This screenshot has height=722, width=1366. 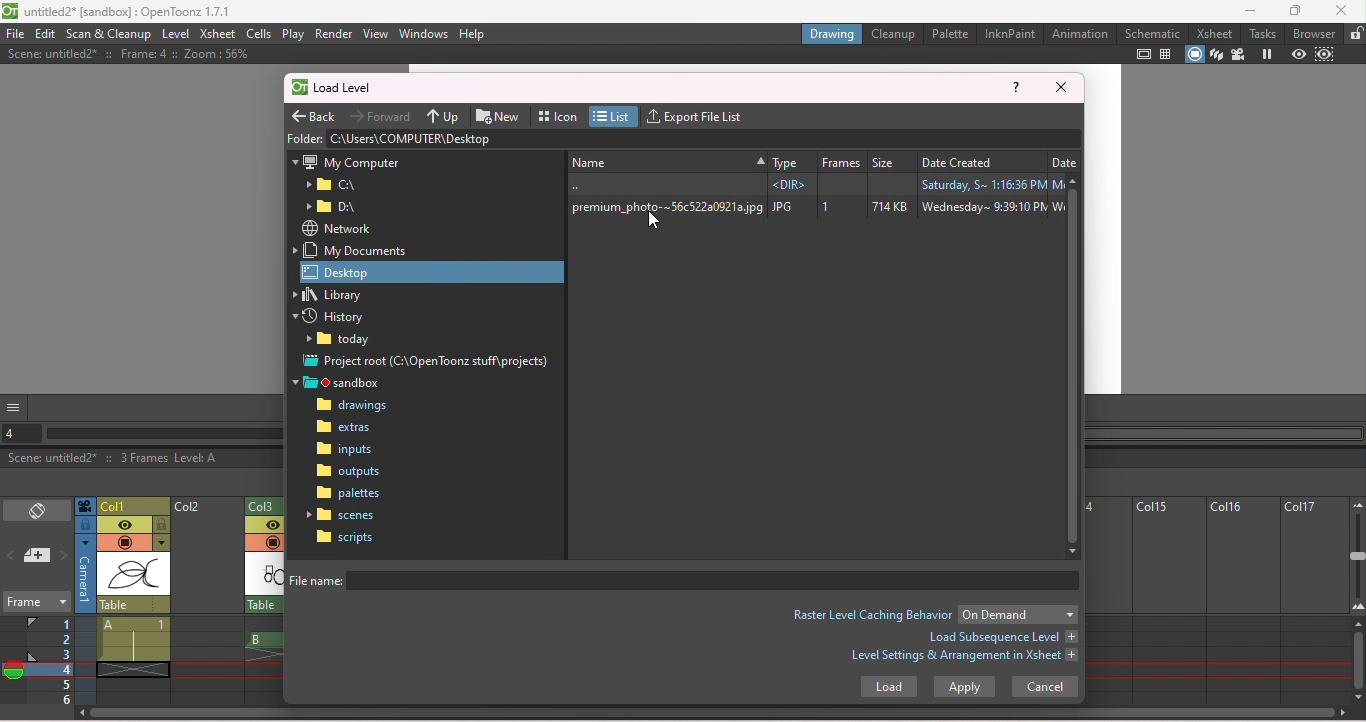 I want to click on Close, so click(x=1341, y=10).